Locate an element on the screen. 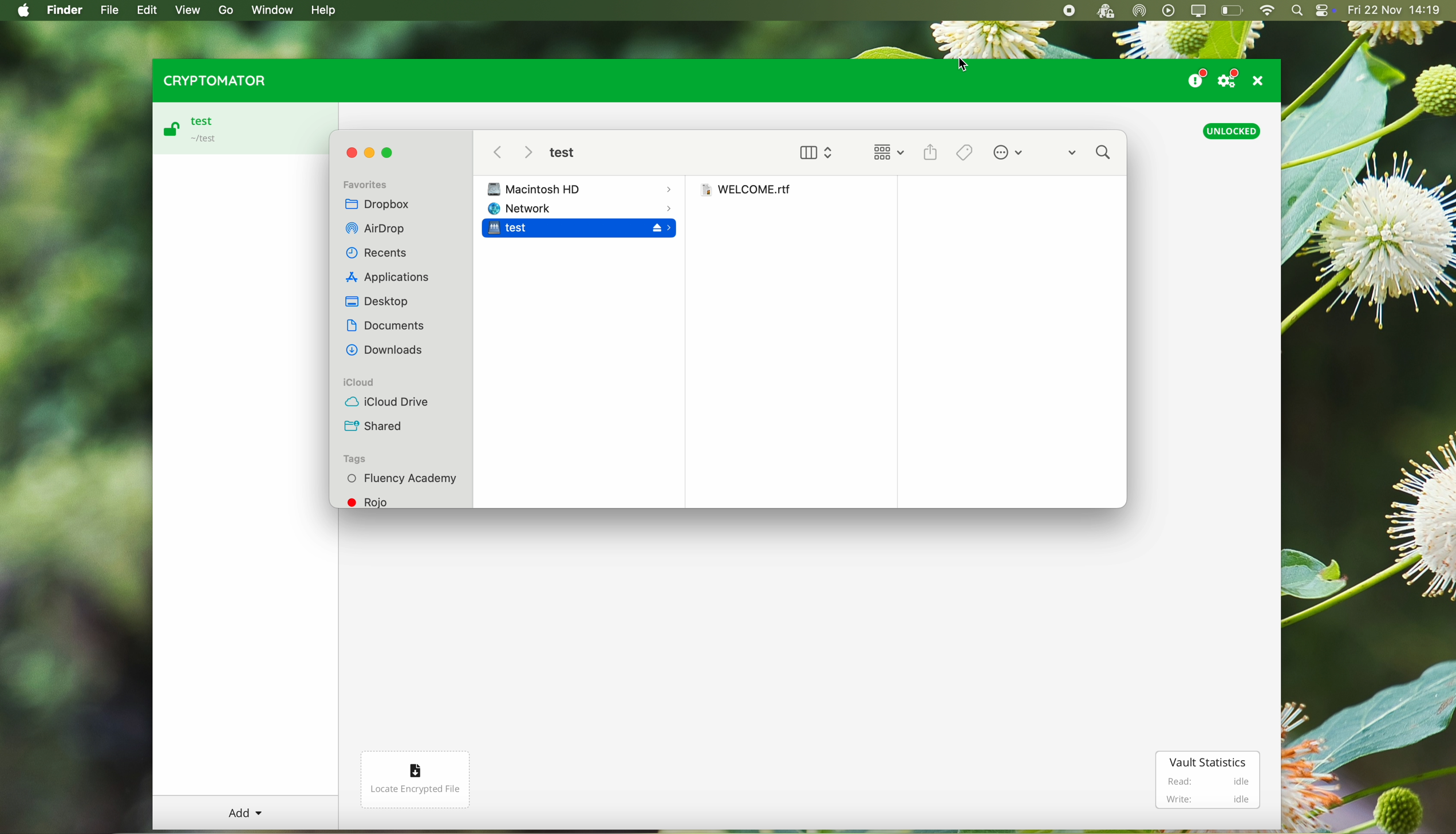  play is located at coordinates (1169, 10).